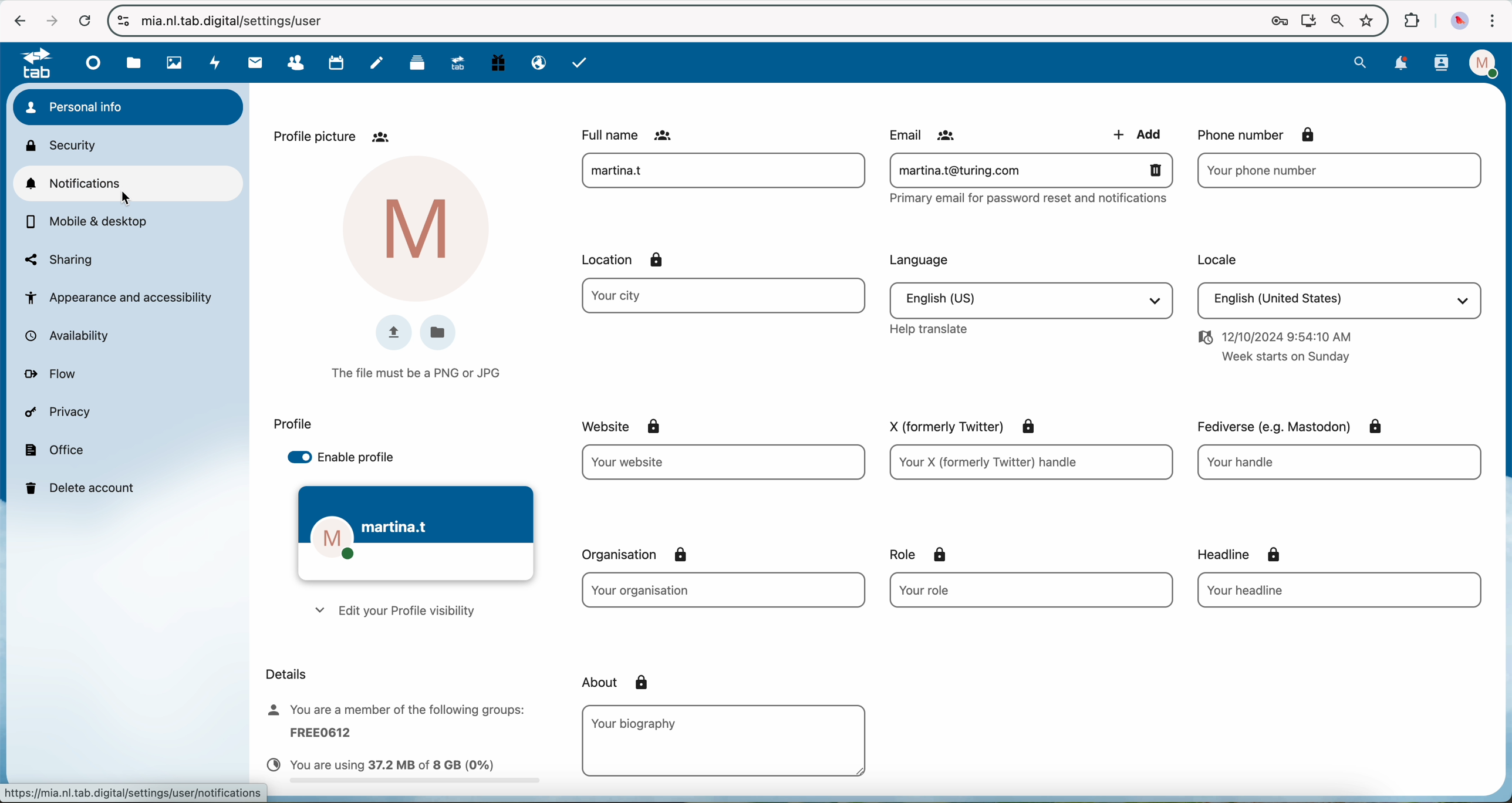  I want to click on sharing, so click(59, 259).